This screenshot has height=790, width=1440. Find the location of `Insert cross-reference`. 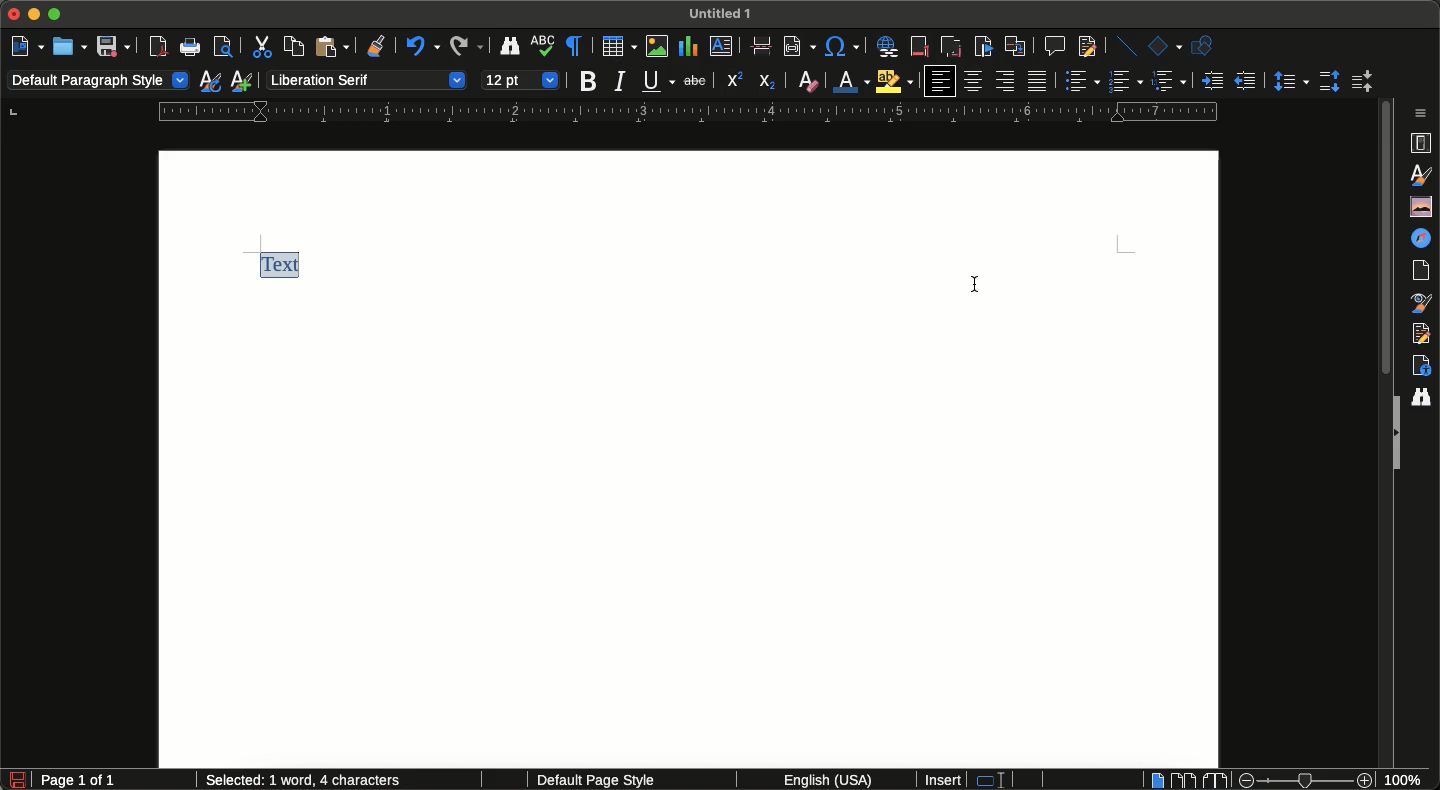

Insert cross-reference is located at coordinates (1014, 46).